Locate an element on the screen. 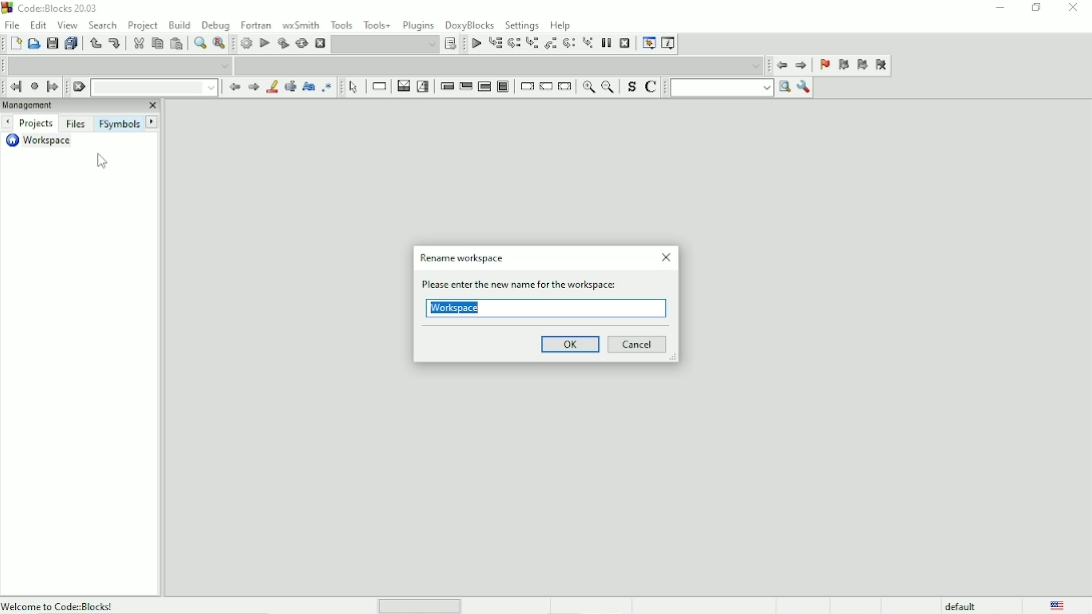 The image size is (1092, 614). View is located at coordinates (68, 25).